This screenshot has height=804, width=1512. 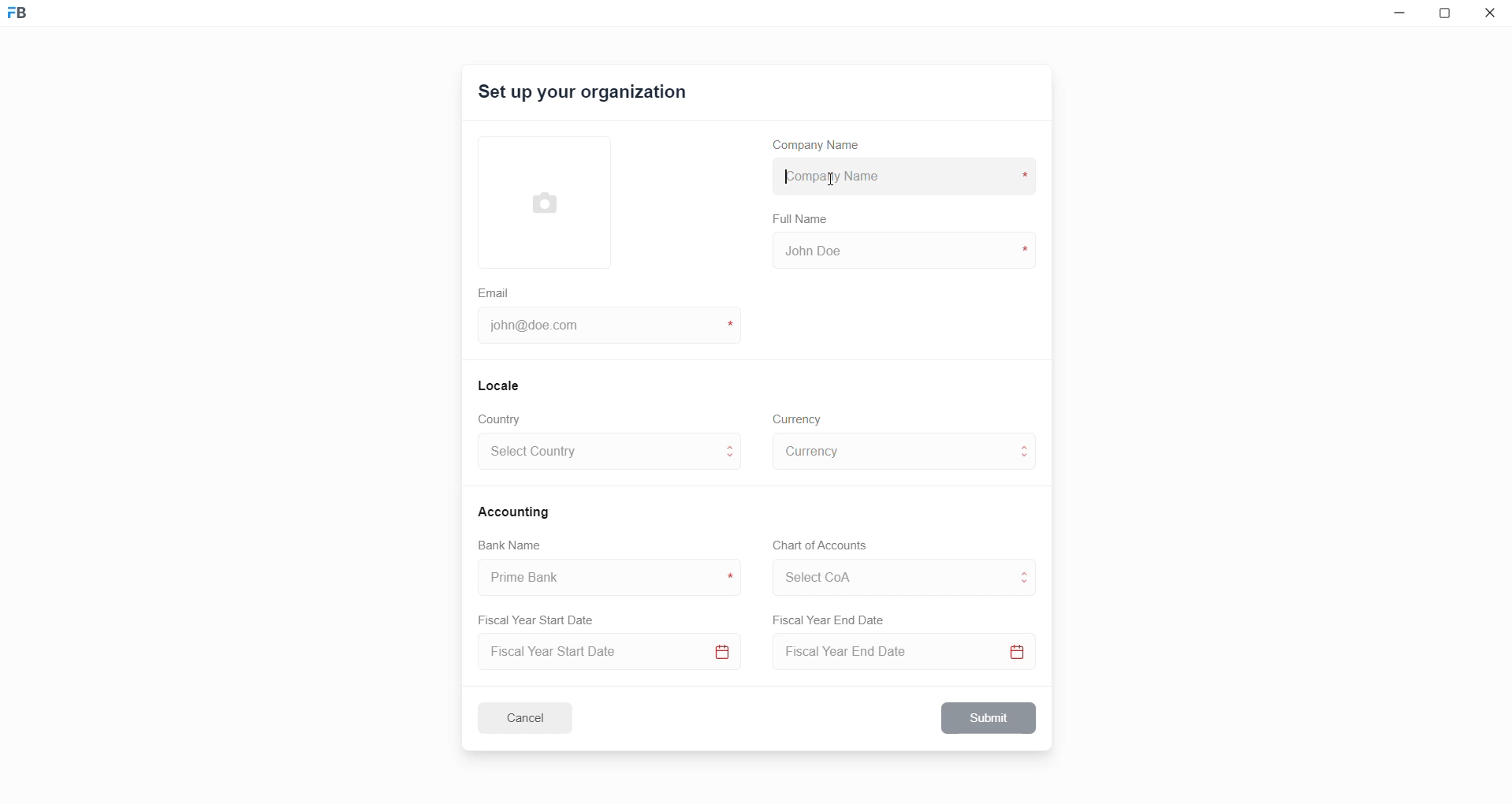 What do you see at coordinates (601, 327) in the screenshot?
I see `email id input box` at bounding box center [601, 327].